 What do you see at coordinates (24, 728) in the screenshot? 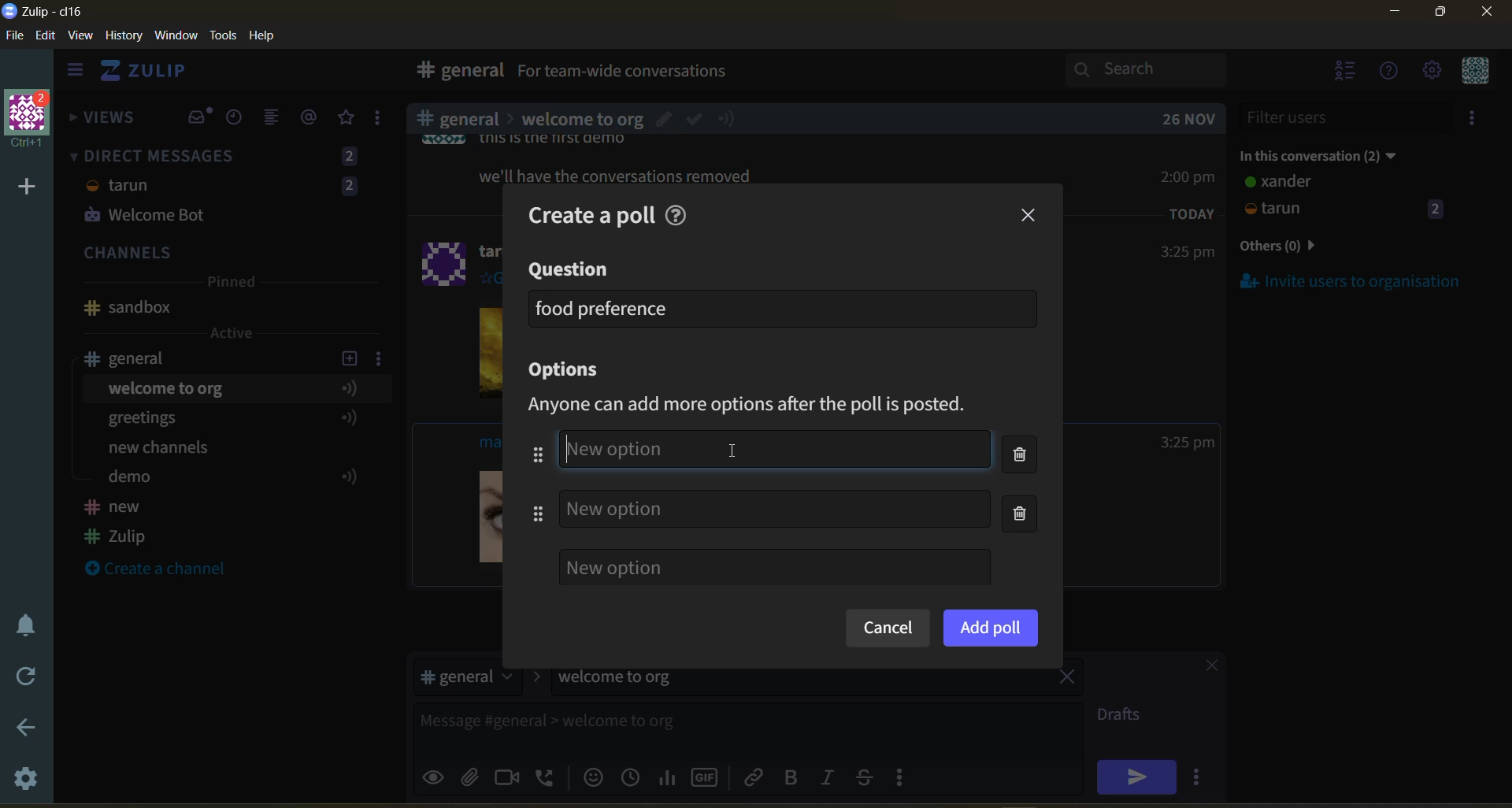
I see `go back` at bounding box center [24, 728].